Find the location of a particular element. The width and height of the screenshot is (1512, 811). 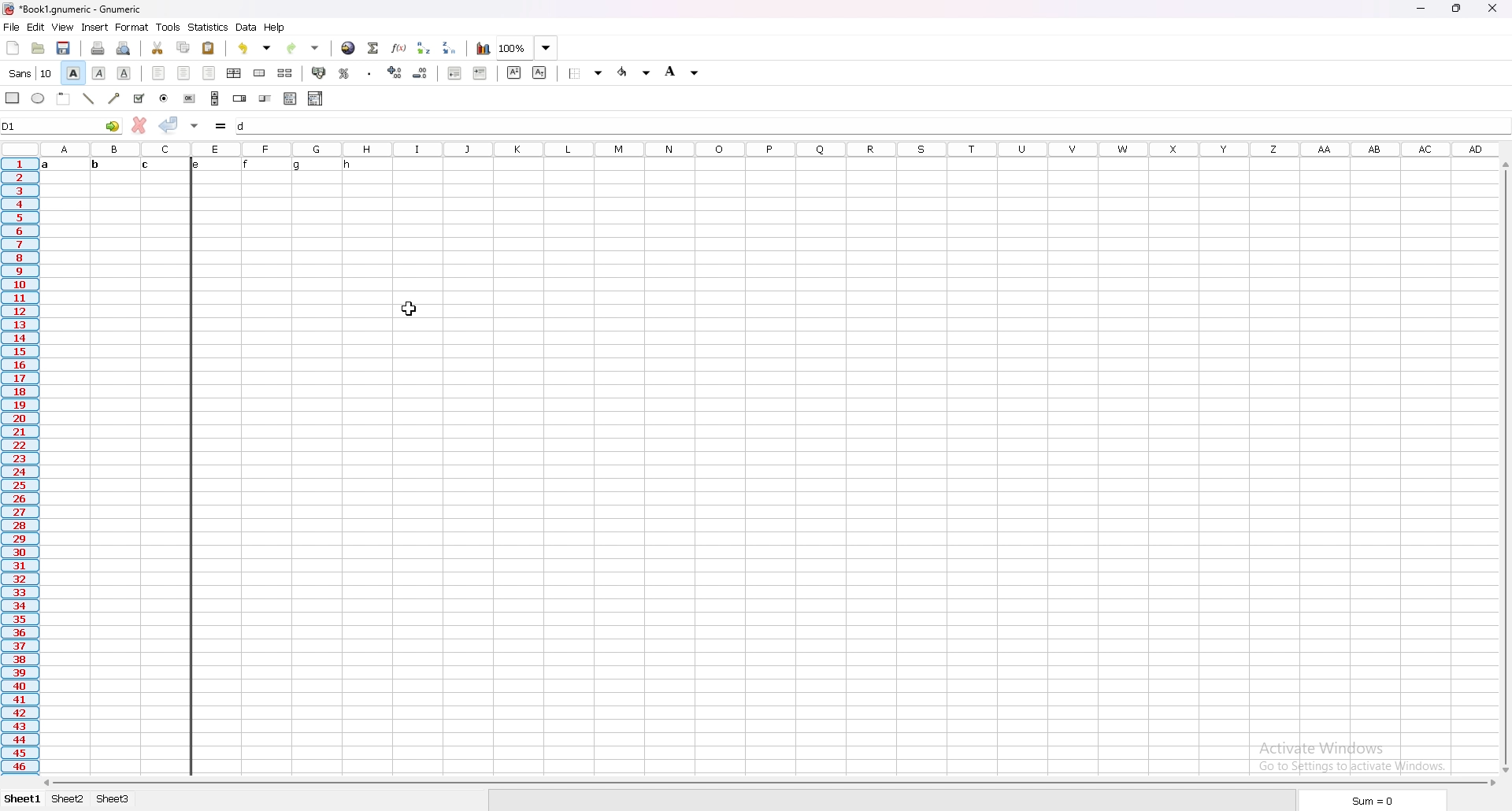

hyperlink is located at coordinates (348, 48).